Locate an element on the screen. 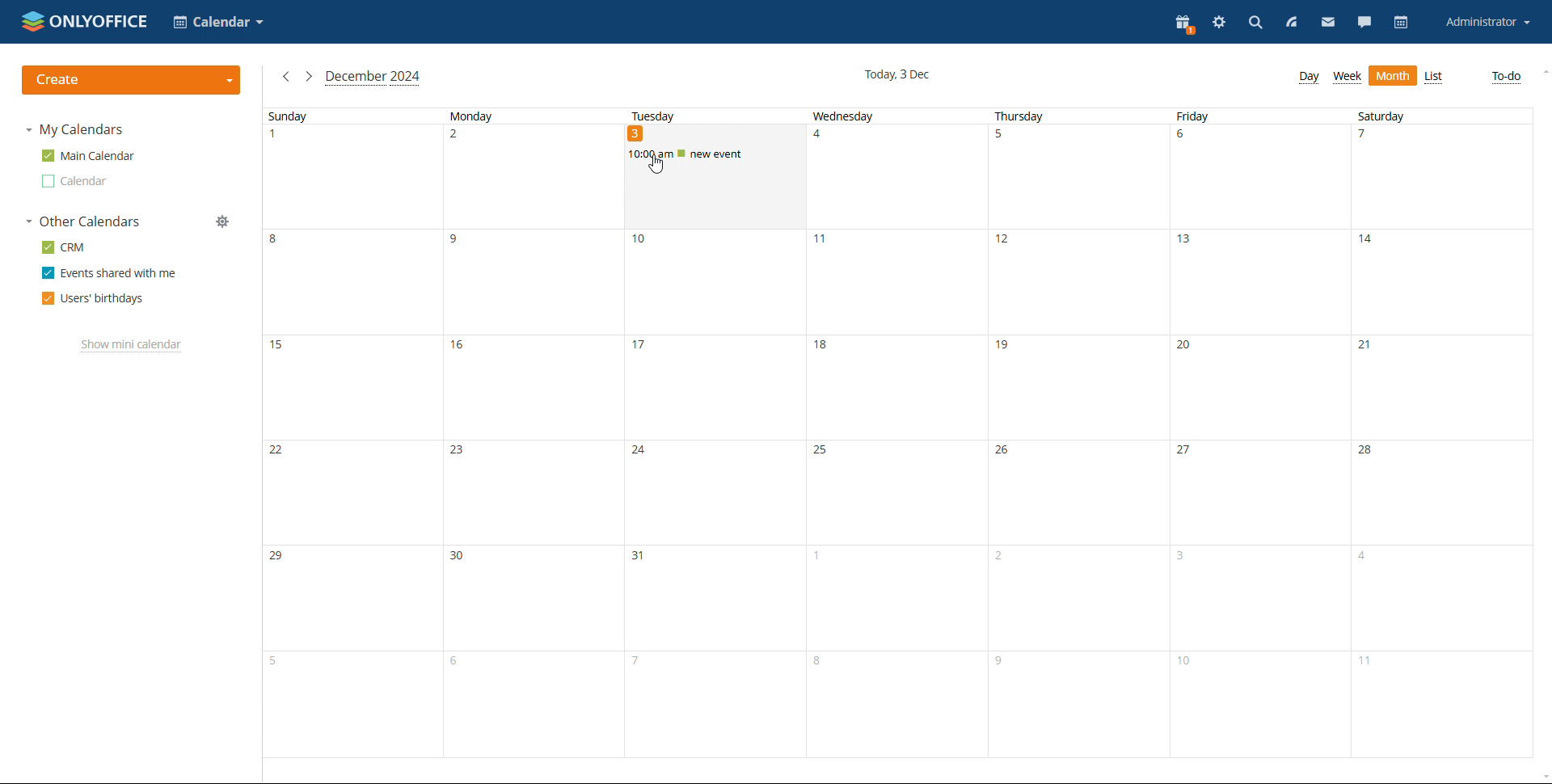  4 is located at coordinates (895, 176).